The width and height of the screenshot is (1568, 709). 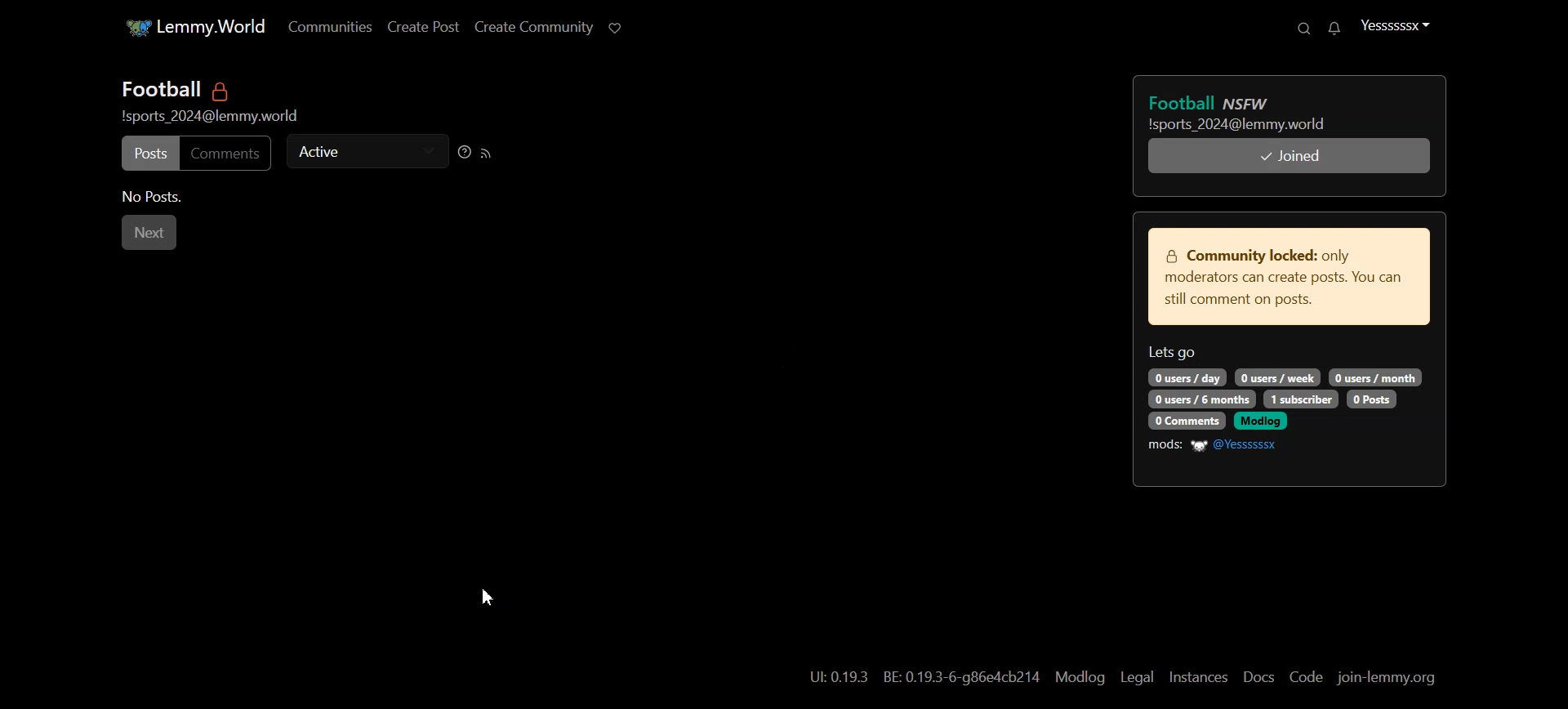 What do you see at coordinates (413, 26) in the screenshot?
I see `Create Post` at bounding box center [413, 26].